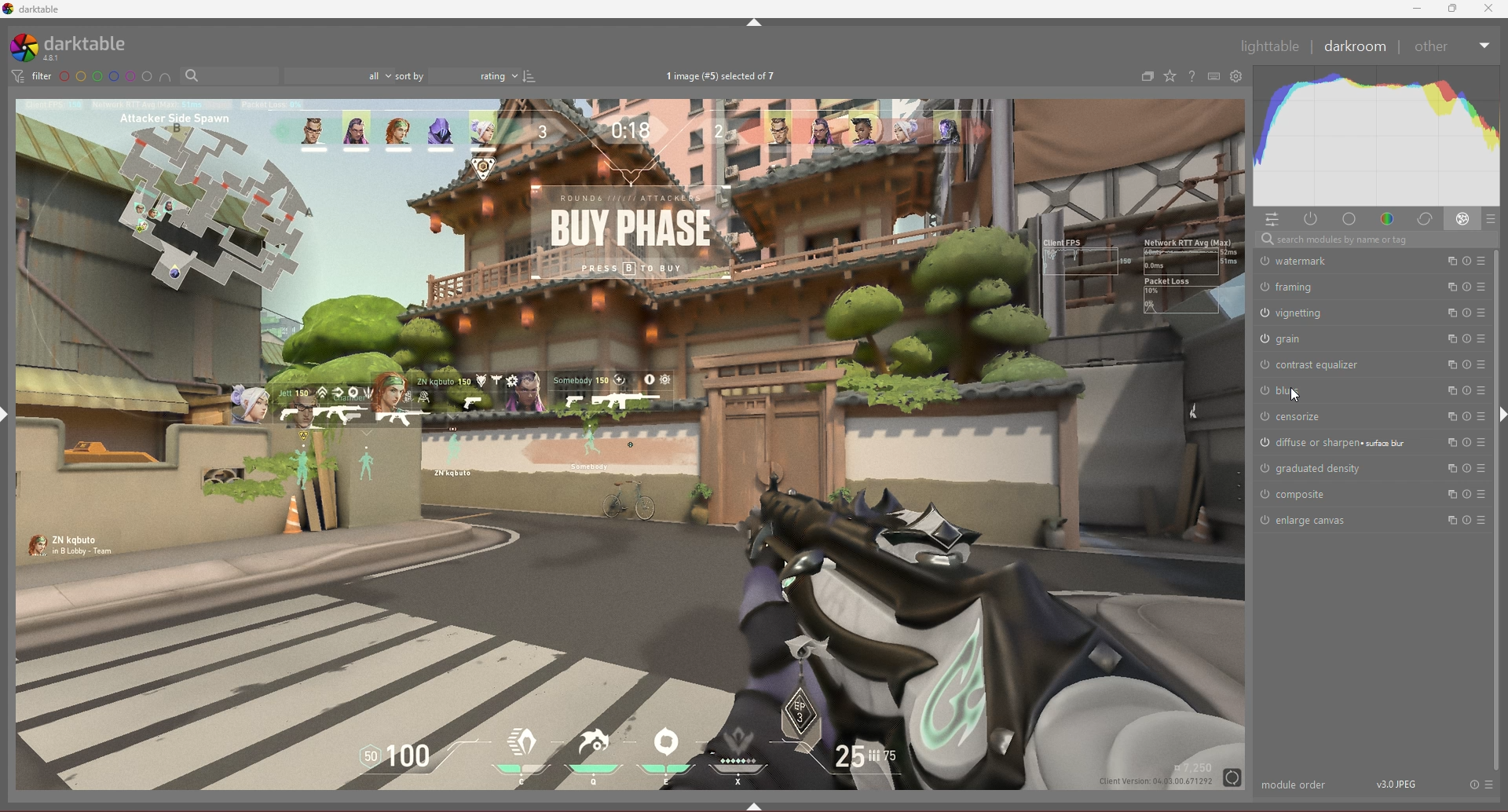 This screenshot has height=812, width=1508. What do you see at coordinates (1352, 219) in the screenshot?
I see `base` at bounding box center [1352, 219].